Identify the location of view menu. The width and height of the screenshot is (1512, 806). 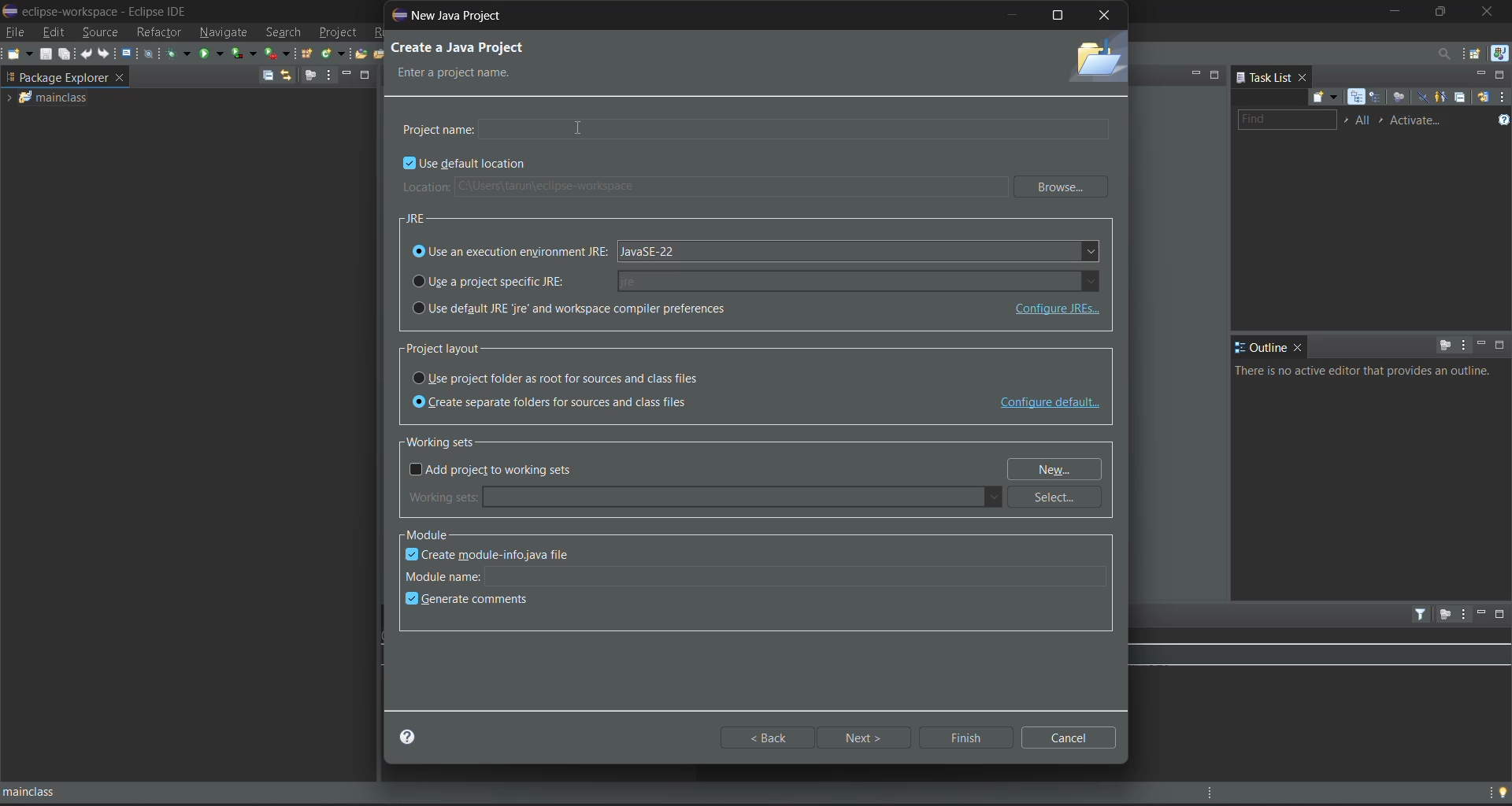
(1463, 615).